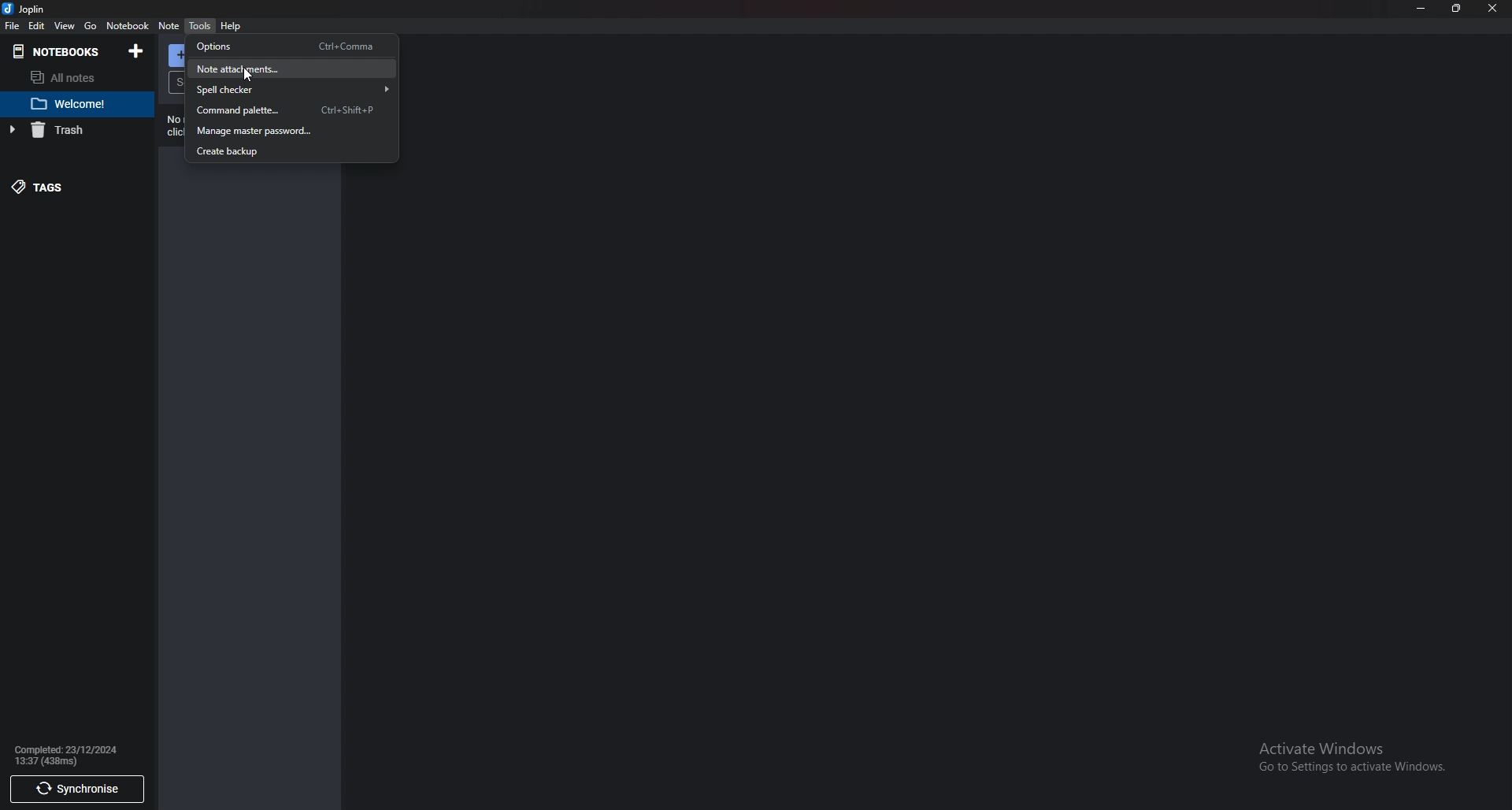 The image size is (1512, 810). What do you see at coordinates (1492, 9) in the screenshot?
I see `close` at bounding box center [1492, 9].